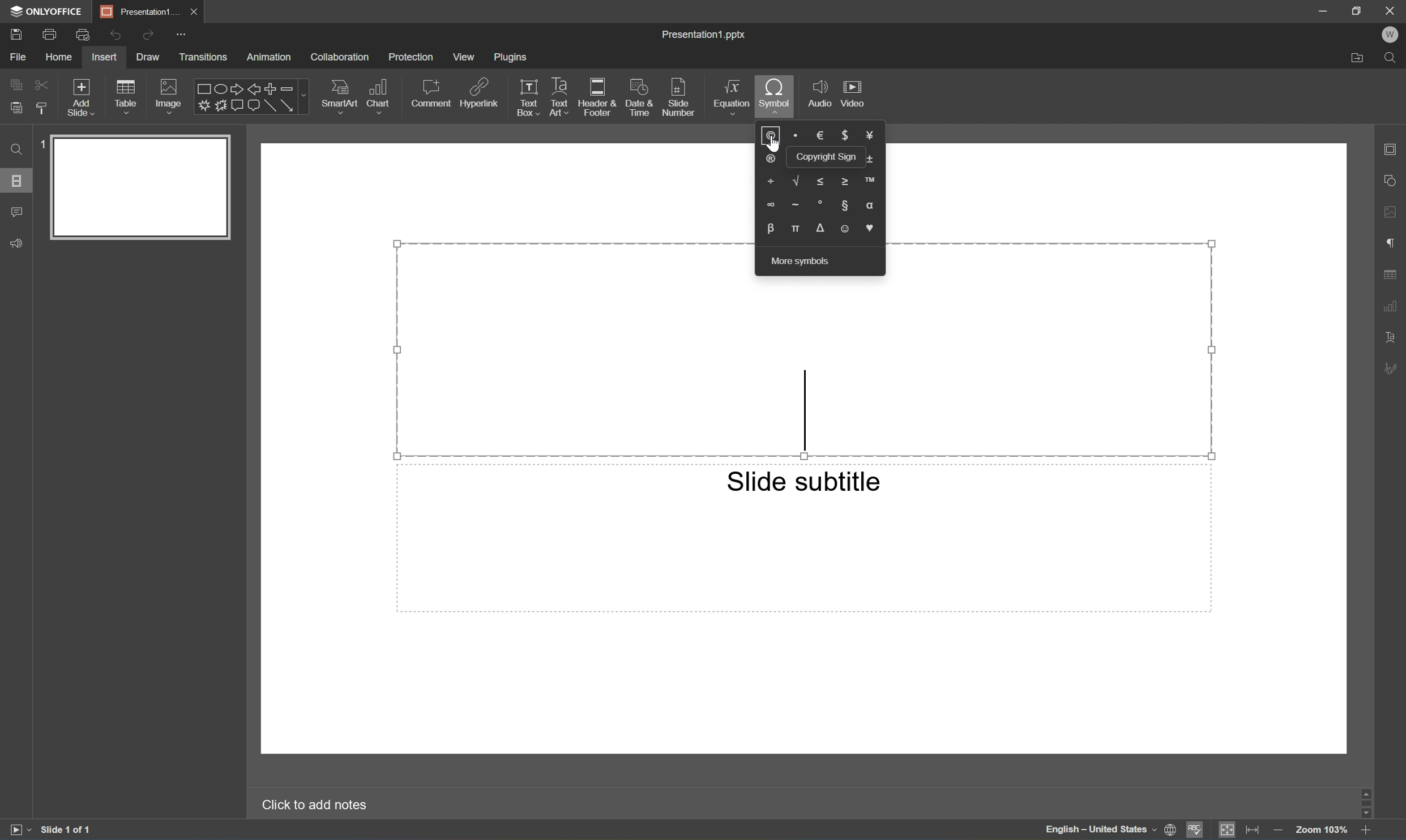  Describe the element at coordinates (1365, 803) in the screenshot. I see `Scroll Bar` at that location.